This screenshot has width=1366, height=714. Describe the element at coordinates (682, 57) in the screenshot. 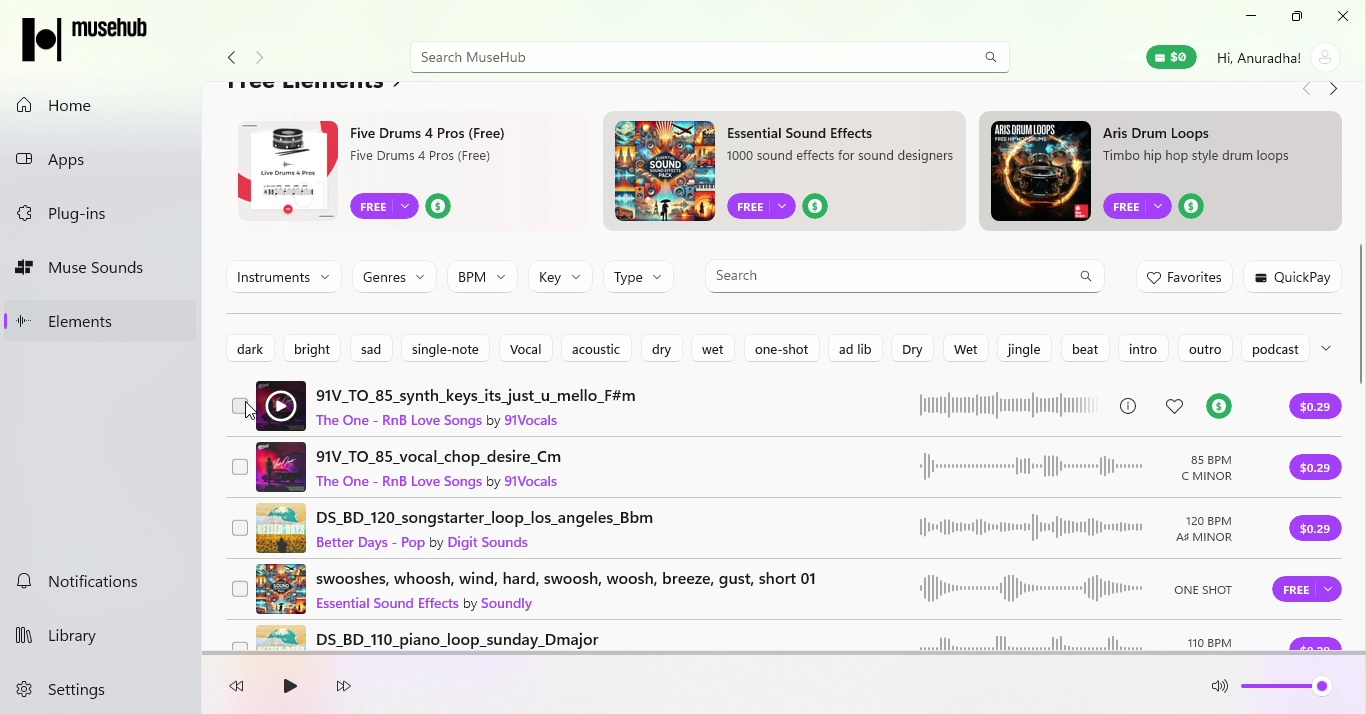

I see `Search bar` at that location.